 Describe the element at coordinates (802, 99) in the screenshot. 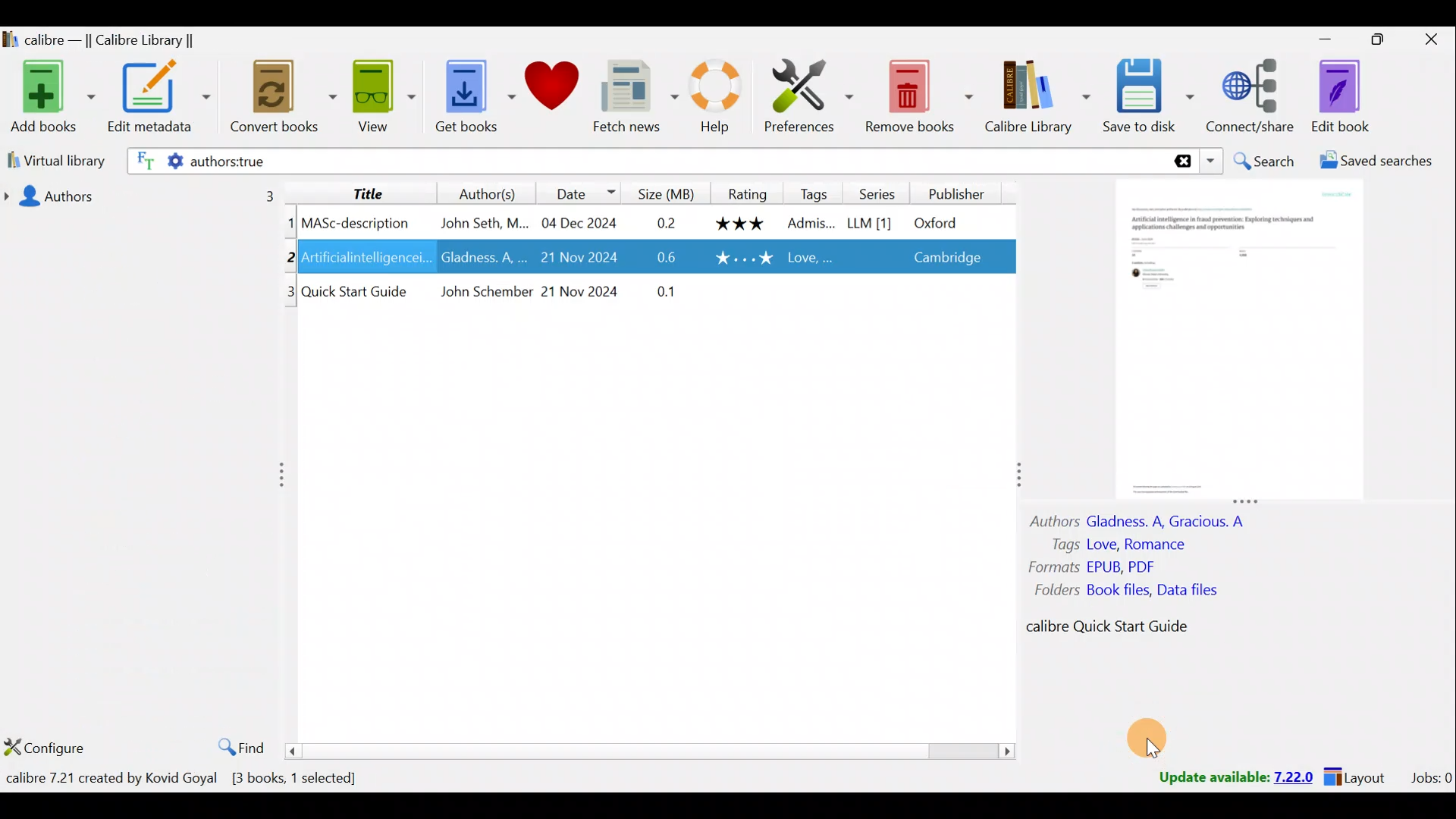

I see `Preferences` at that location.